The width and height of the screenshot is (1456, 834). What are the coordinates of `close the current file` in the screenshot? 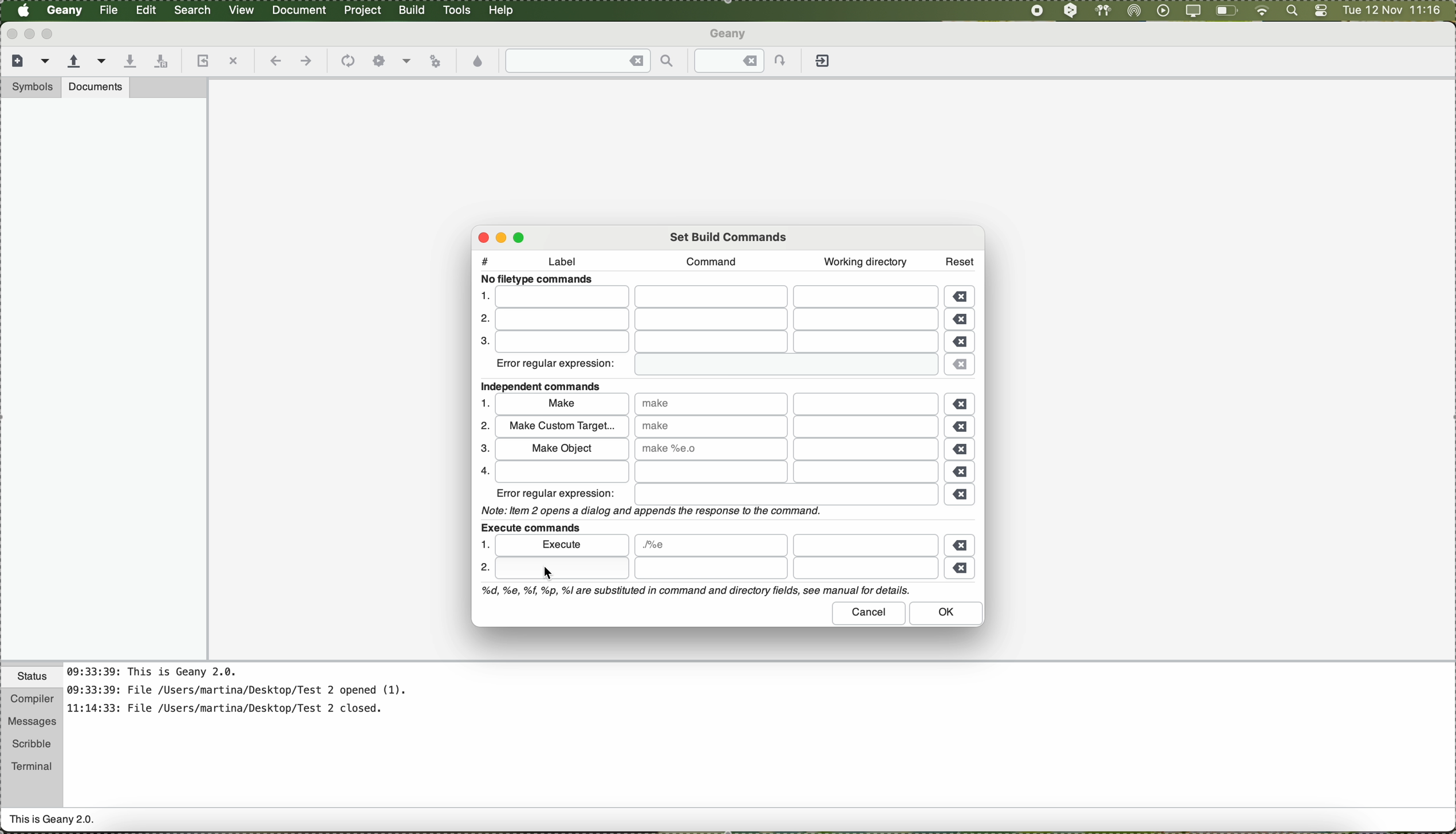 It's located at (233, 62).